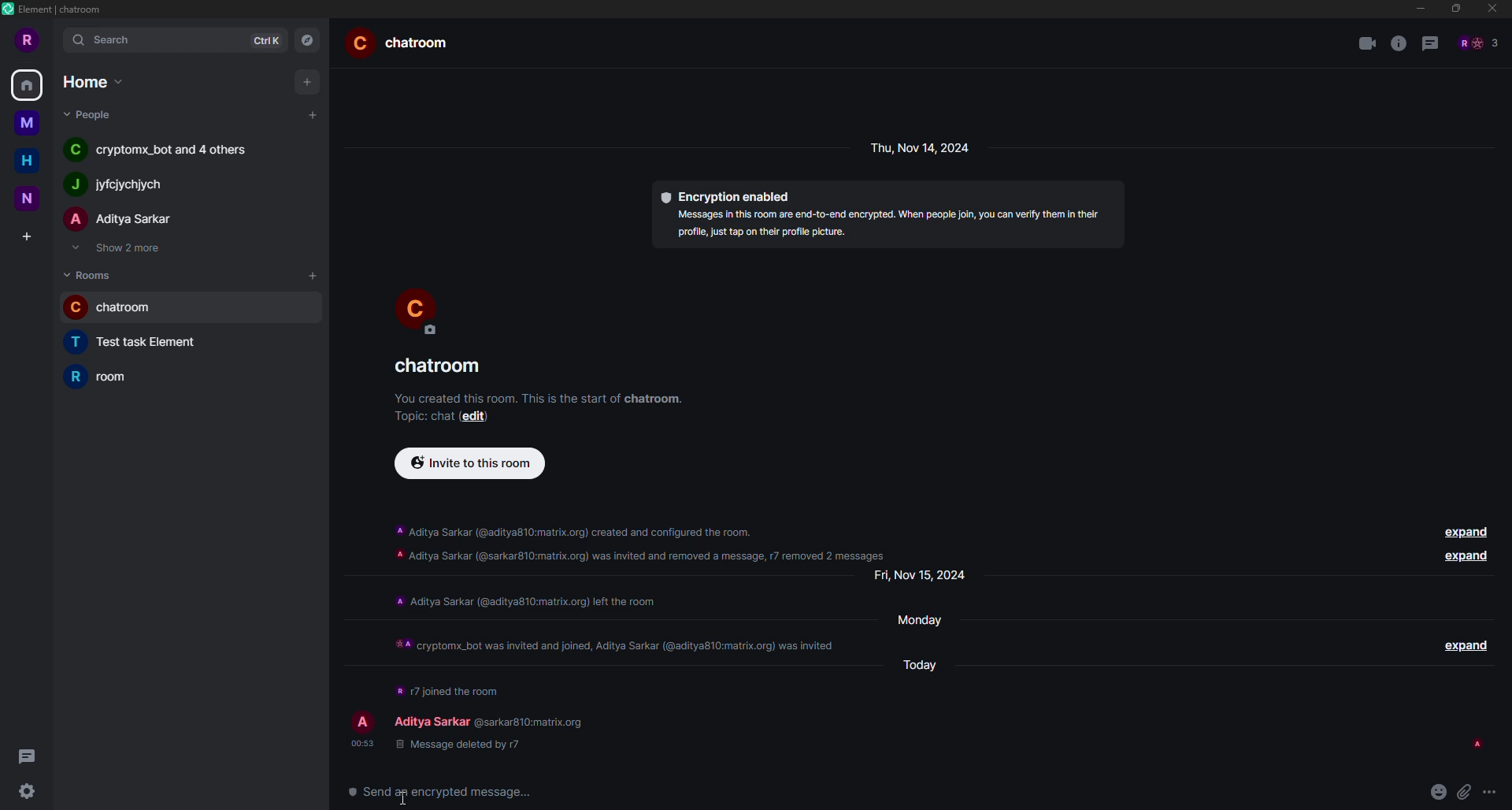 The height and width of the screenshot is (810, 1512). Describe the element at coordinates (1494, 793) in the screenshot. I see `more` at that location.